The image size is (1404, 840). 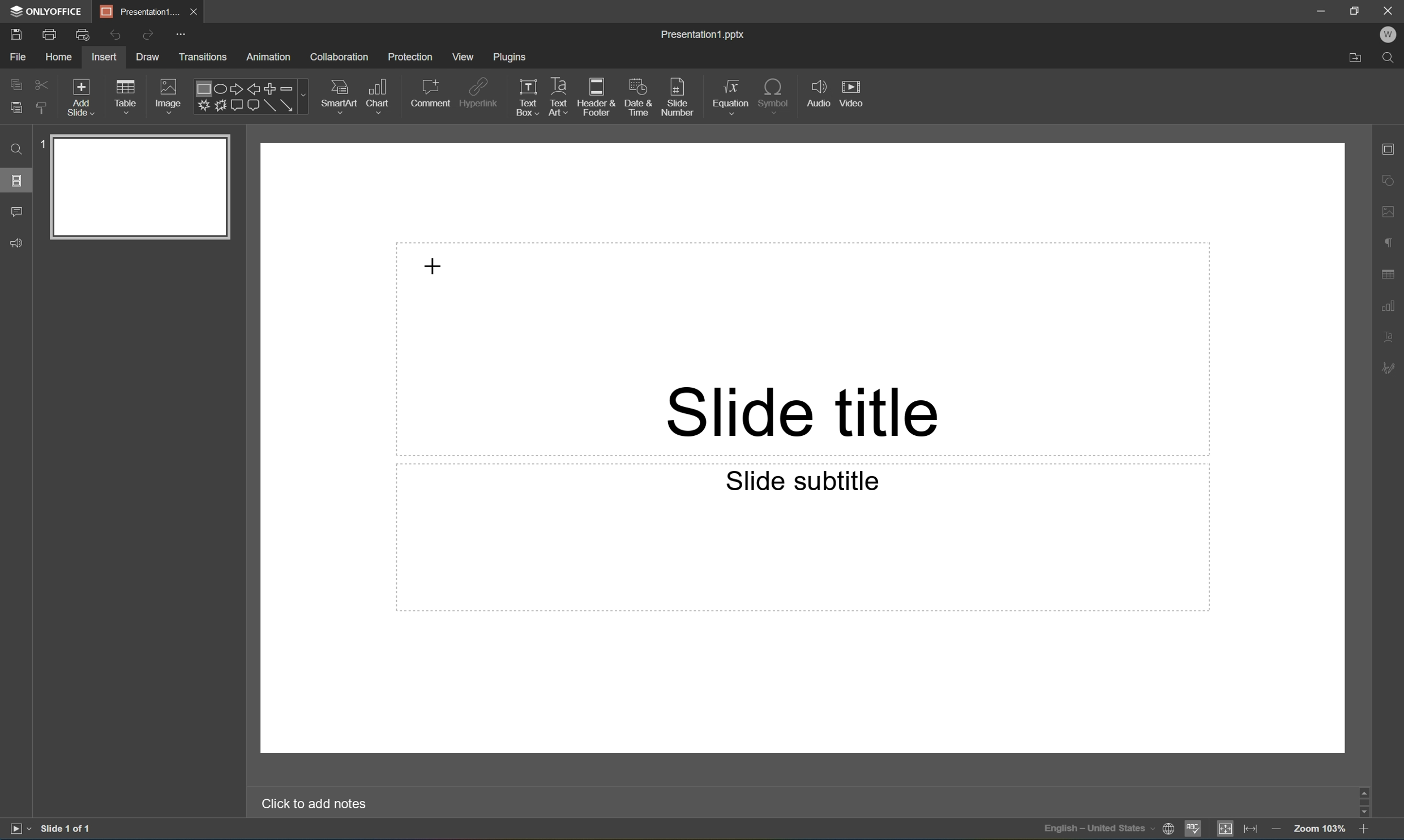 I want to click on Left arrow, so click(x=254, y=90).